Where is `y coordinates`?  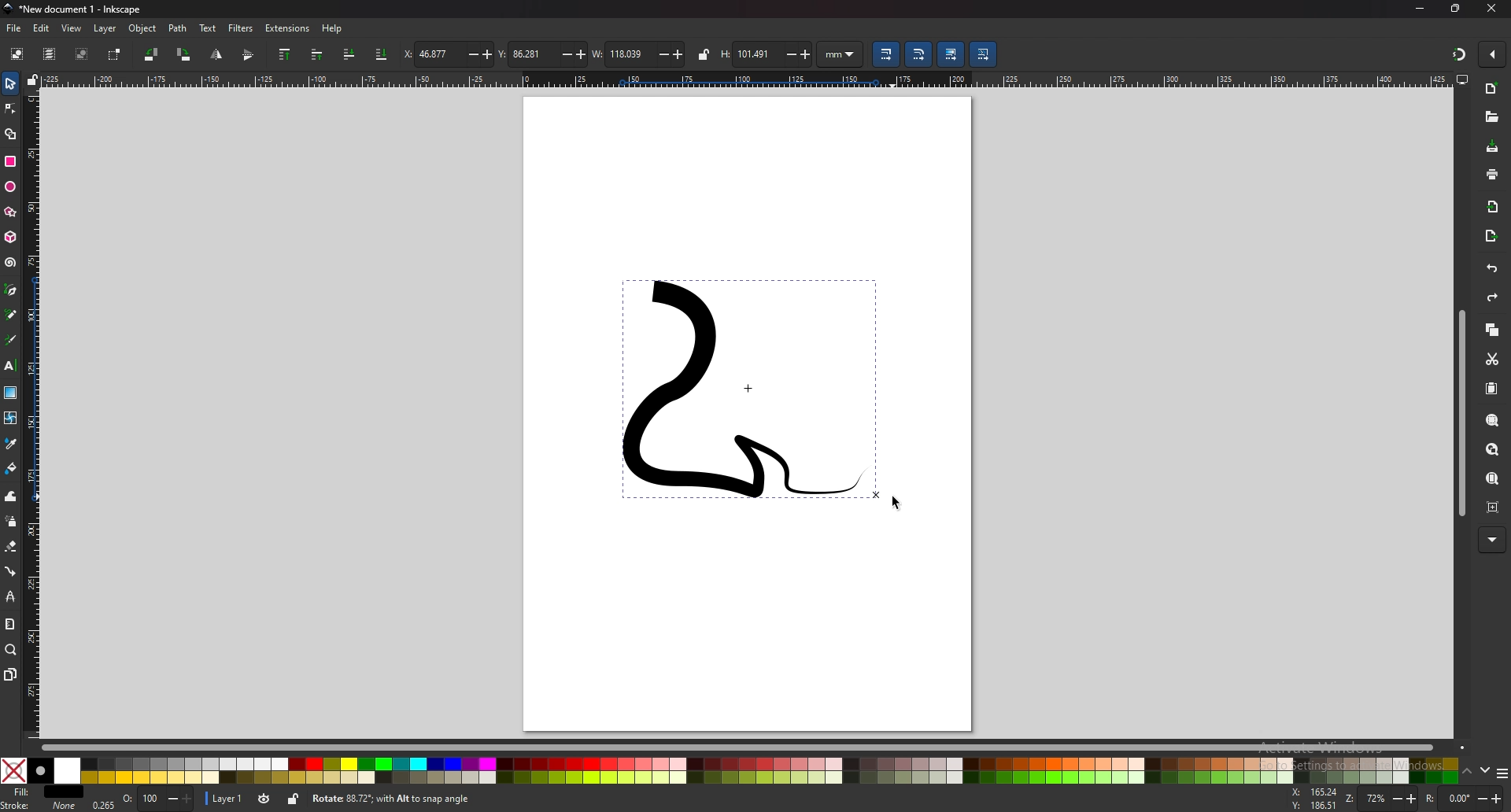
y coordinates is located at coordinates (540, 54).